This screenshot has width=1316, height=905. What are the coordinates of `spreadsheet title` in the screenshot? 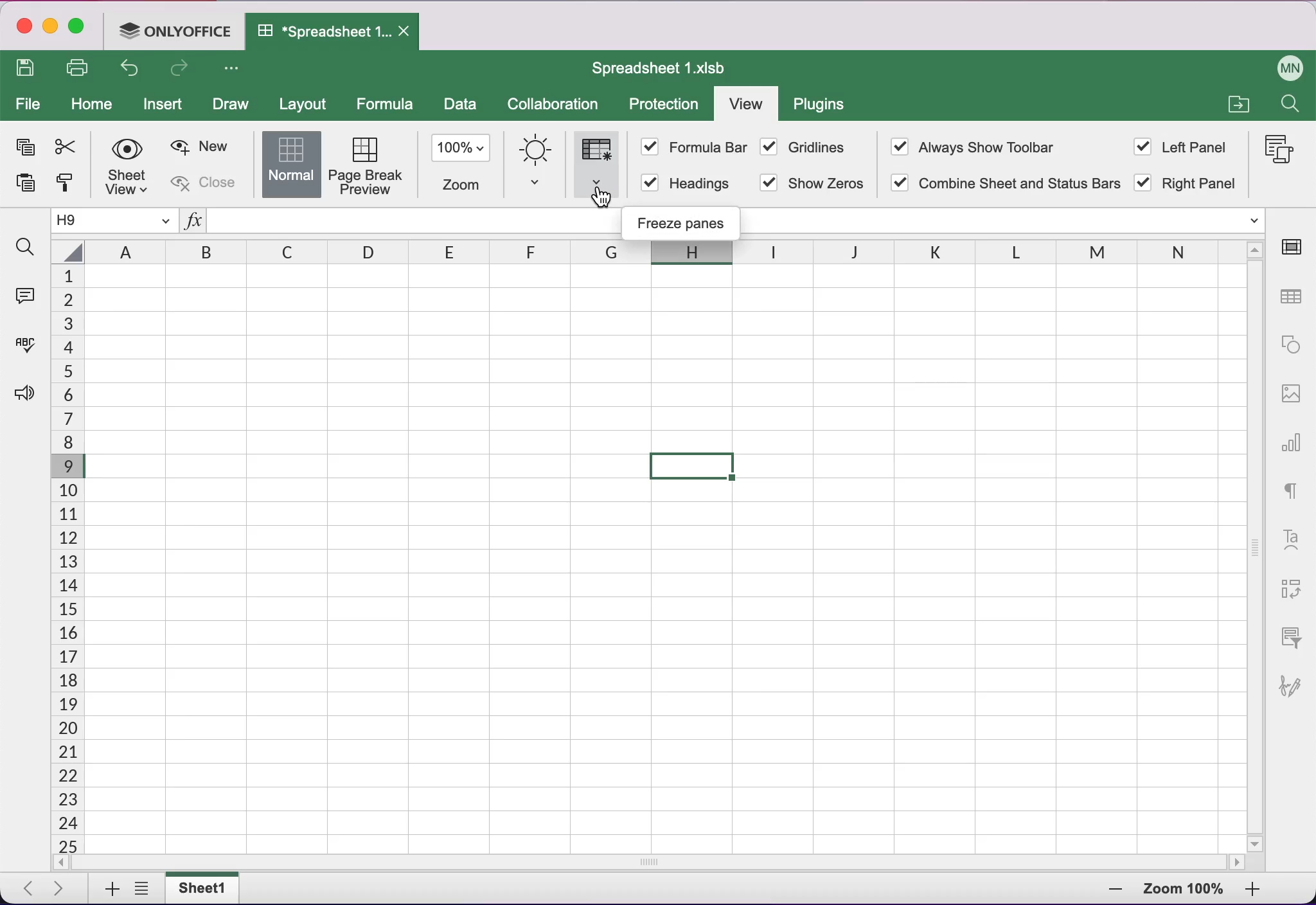 It's located at (658, 67).